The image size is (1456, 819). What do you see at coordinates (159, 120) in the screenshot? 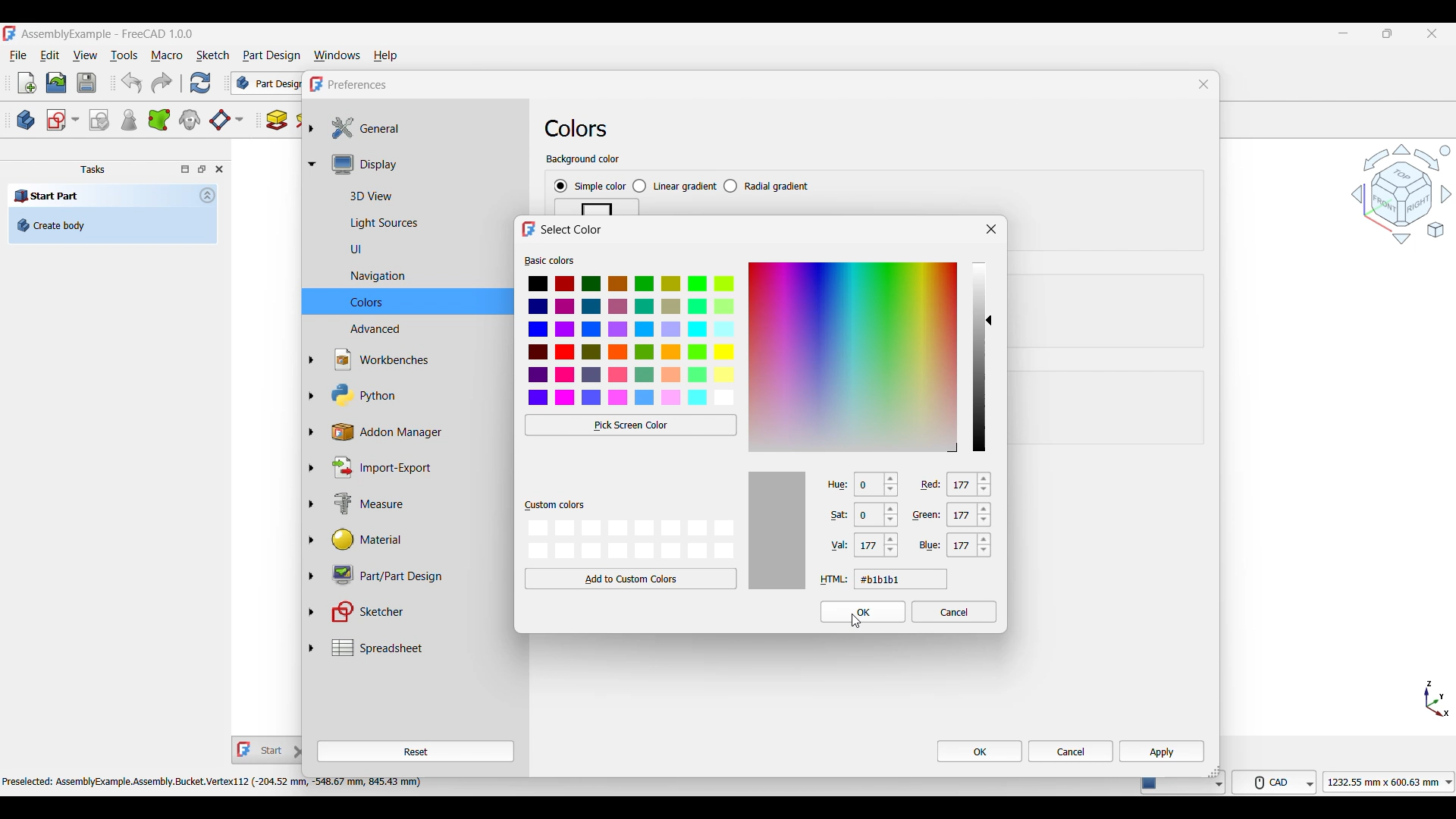
I see `Create a sub-object shape binder` at bounding box center [159, 120].